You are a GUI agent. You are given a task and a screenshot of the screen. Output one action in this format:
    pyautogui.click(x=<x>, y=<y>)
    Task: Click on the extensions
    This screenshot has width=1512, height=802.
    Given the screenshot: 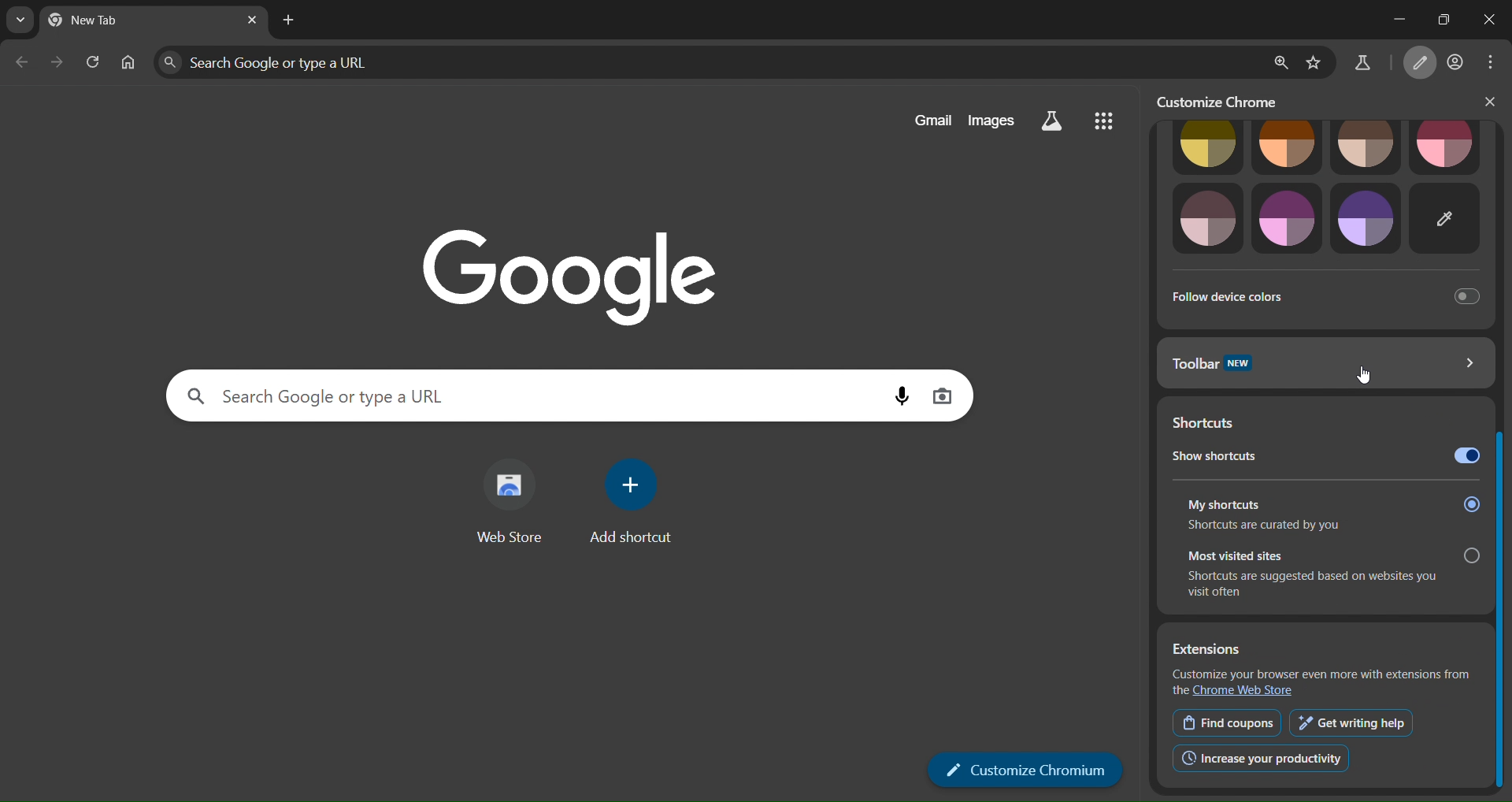 What is the action you would take?
    pyautogui.click(x=1208, y=650)
    